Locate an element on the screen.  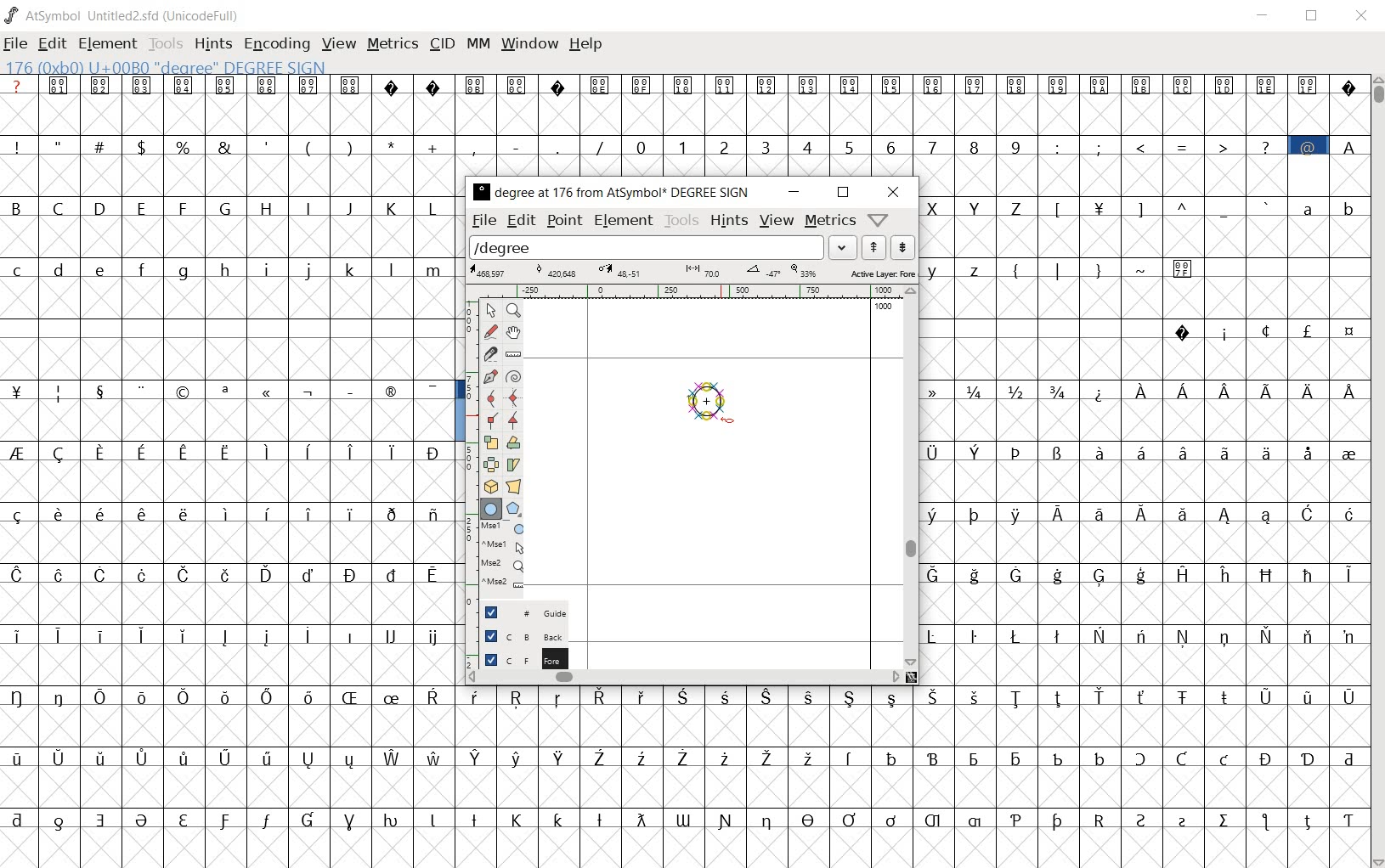
cid is located at coordinates (443, 44).